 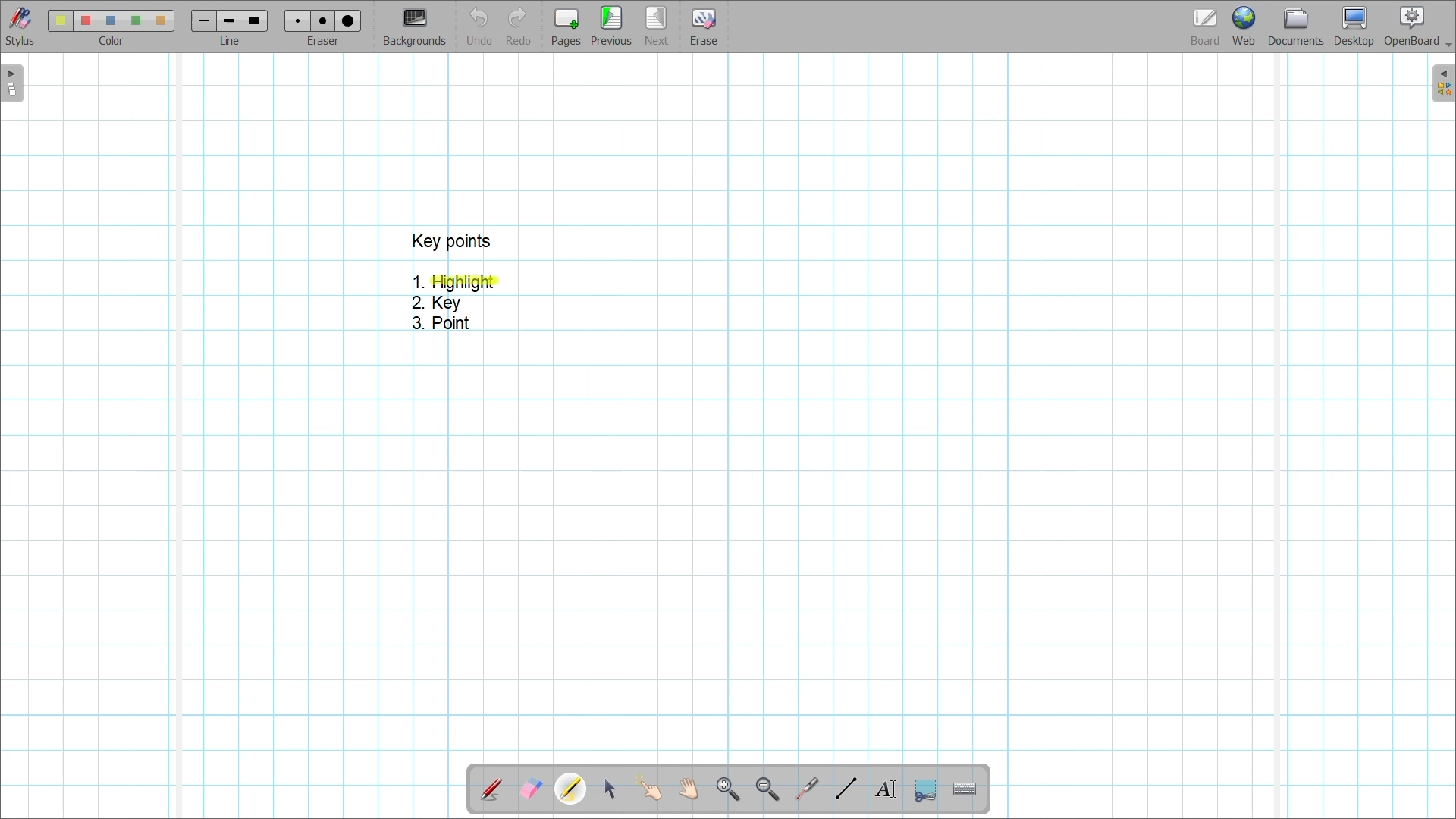 What do you see at coordinates (159, 21) in the screenshot?
I see `color5` at bounding box center [159, 21].